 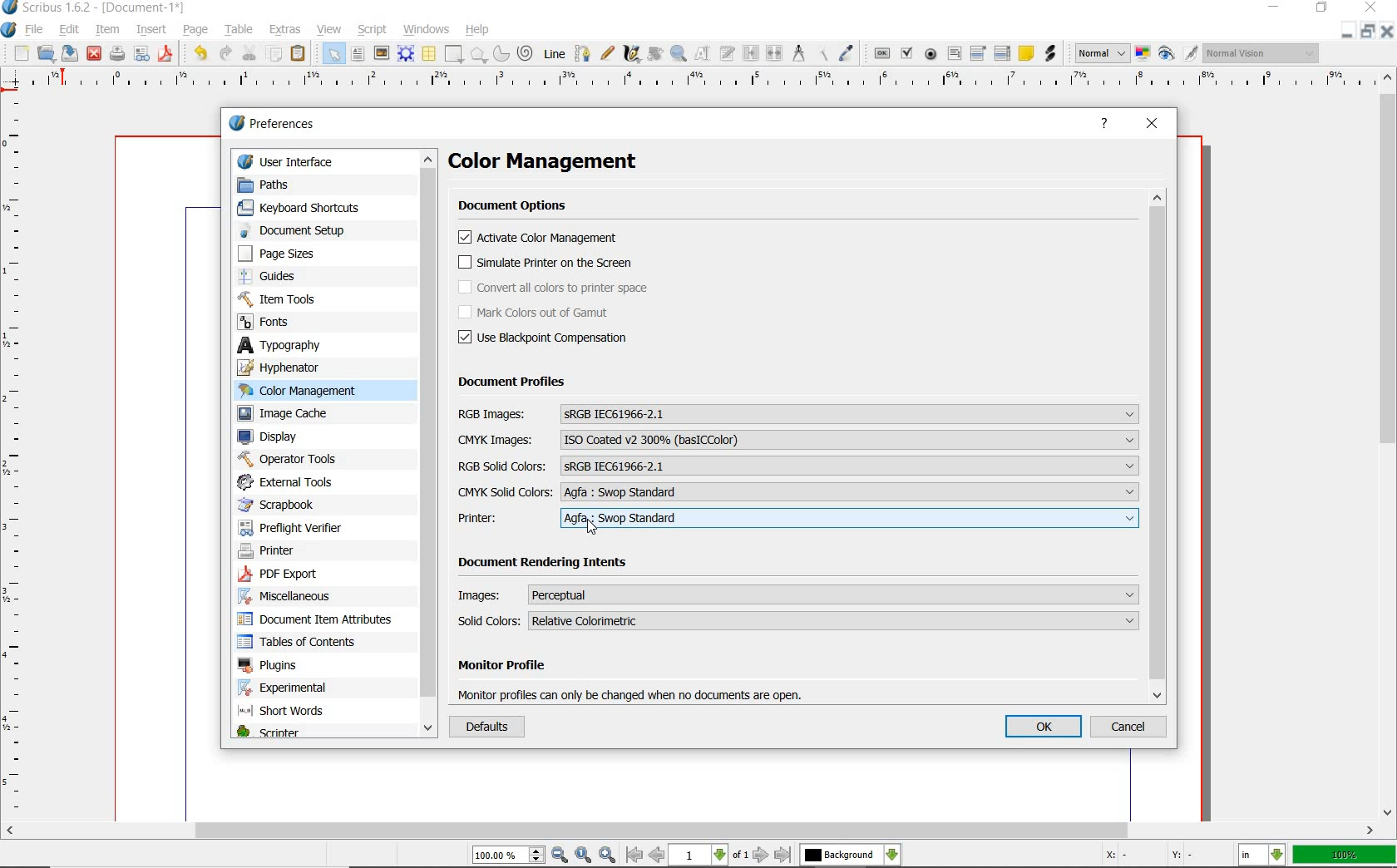 What do you see at coordinates (1001, 53) in the screenshot?
I see `pdf list box` at bounding box center [1001, 53].